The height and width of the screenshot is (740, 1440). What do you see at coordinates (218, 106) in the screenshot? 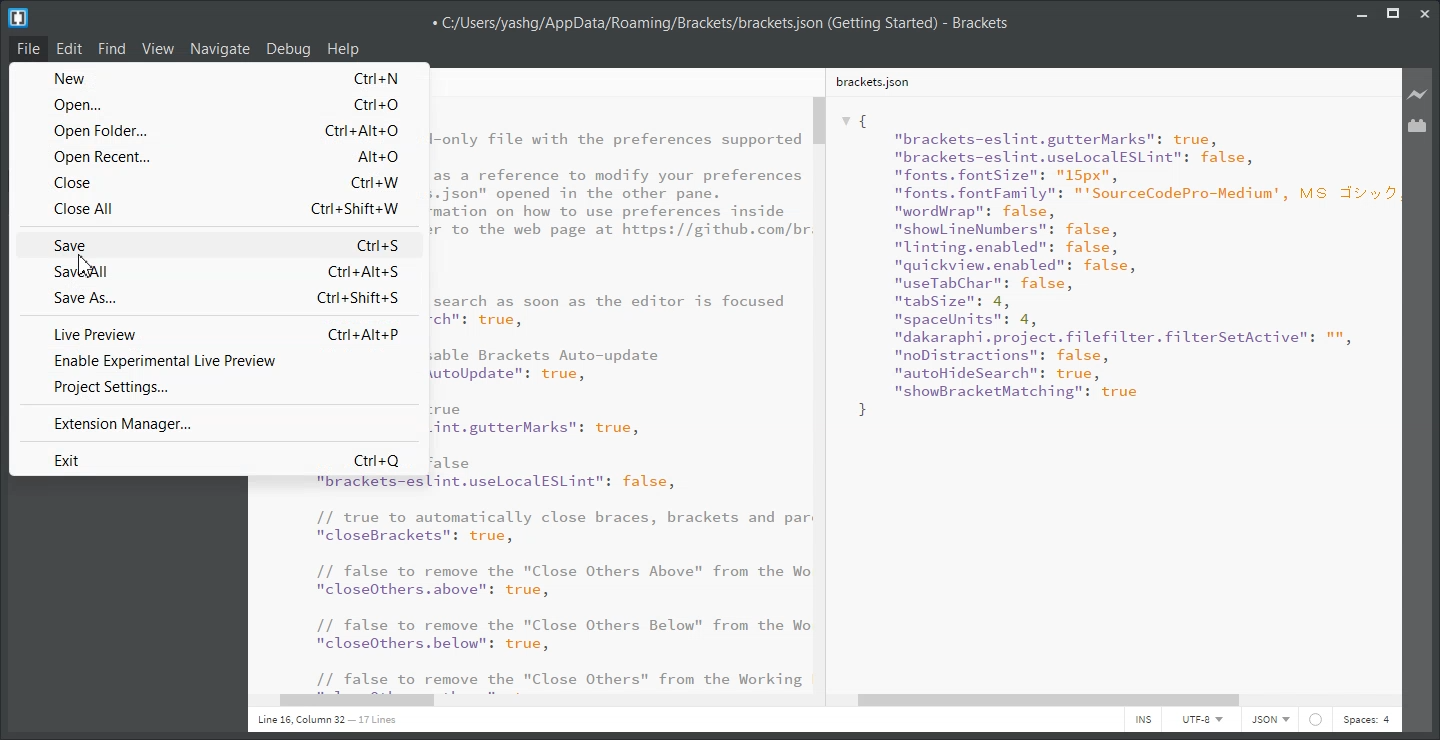
I see `Open...   Ctrl+O` at bounding box center [218, 106].